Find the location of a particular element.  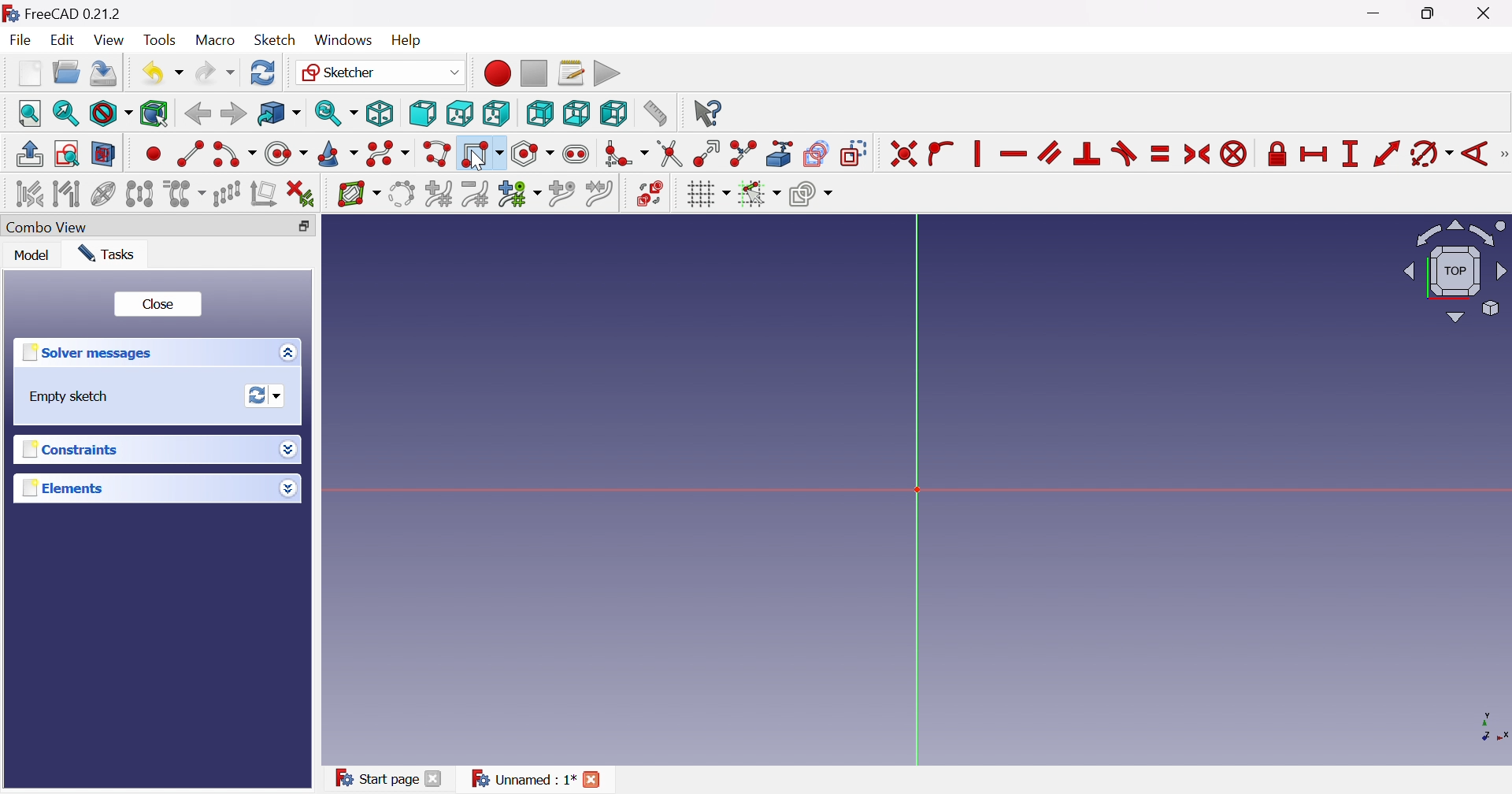

Macro recording... is located at coordinates (495, 72).